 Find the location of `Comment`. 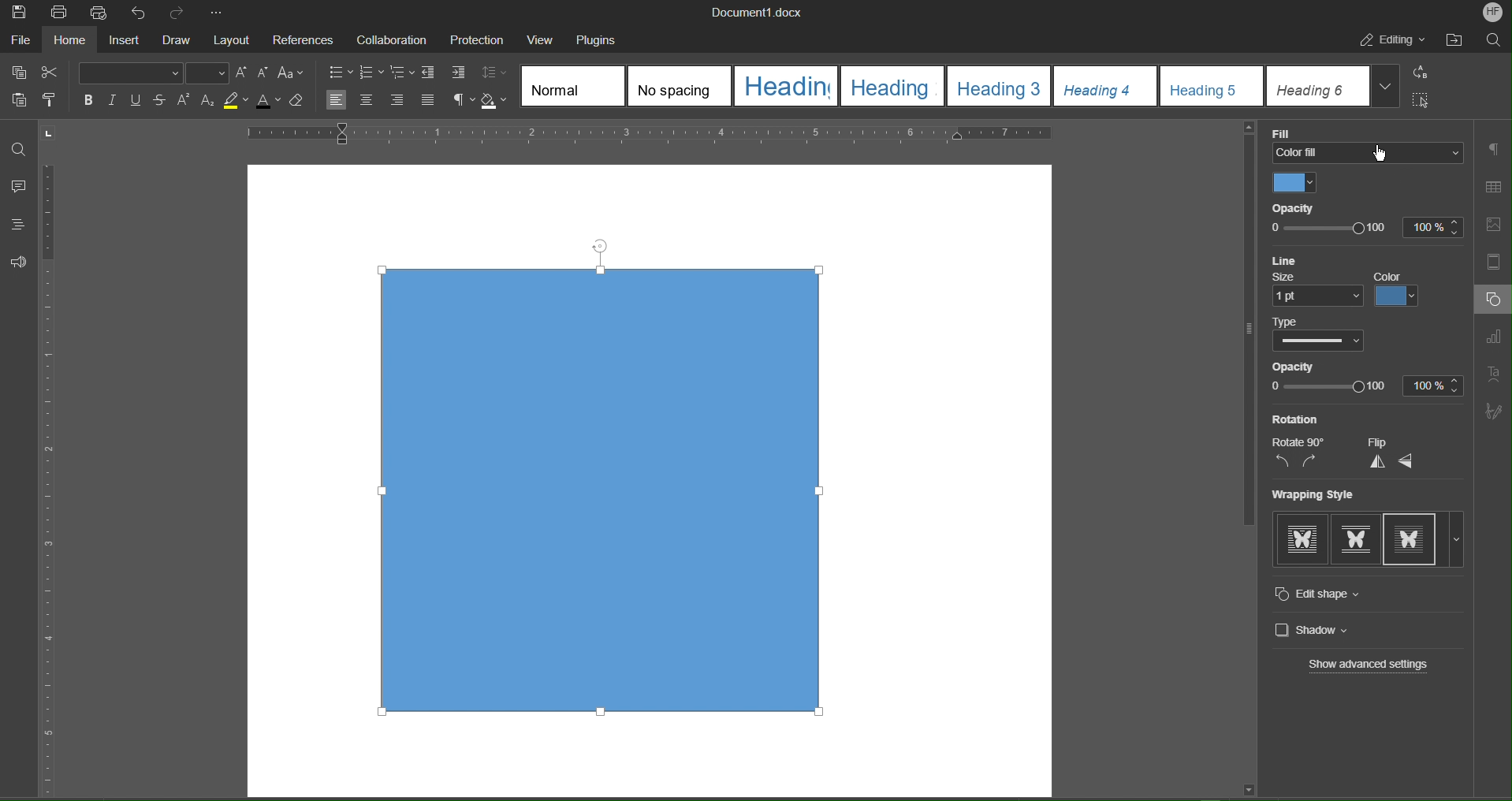

Comment is located at coordinates (18, 185).